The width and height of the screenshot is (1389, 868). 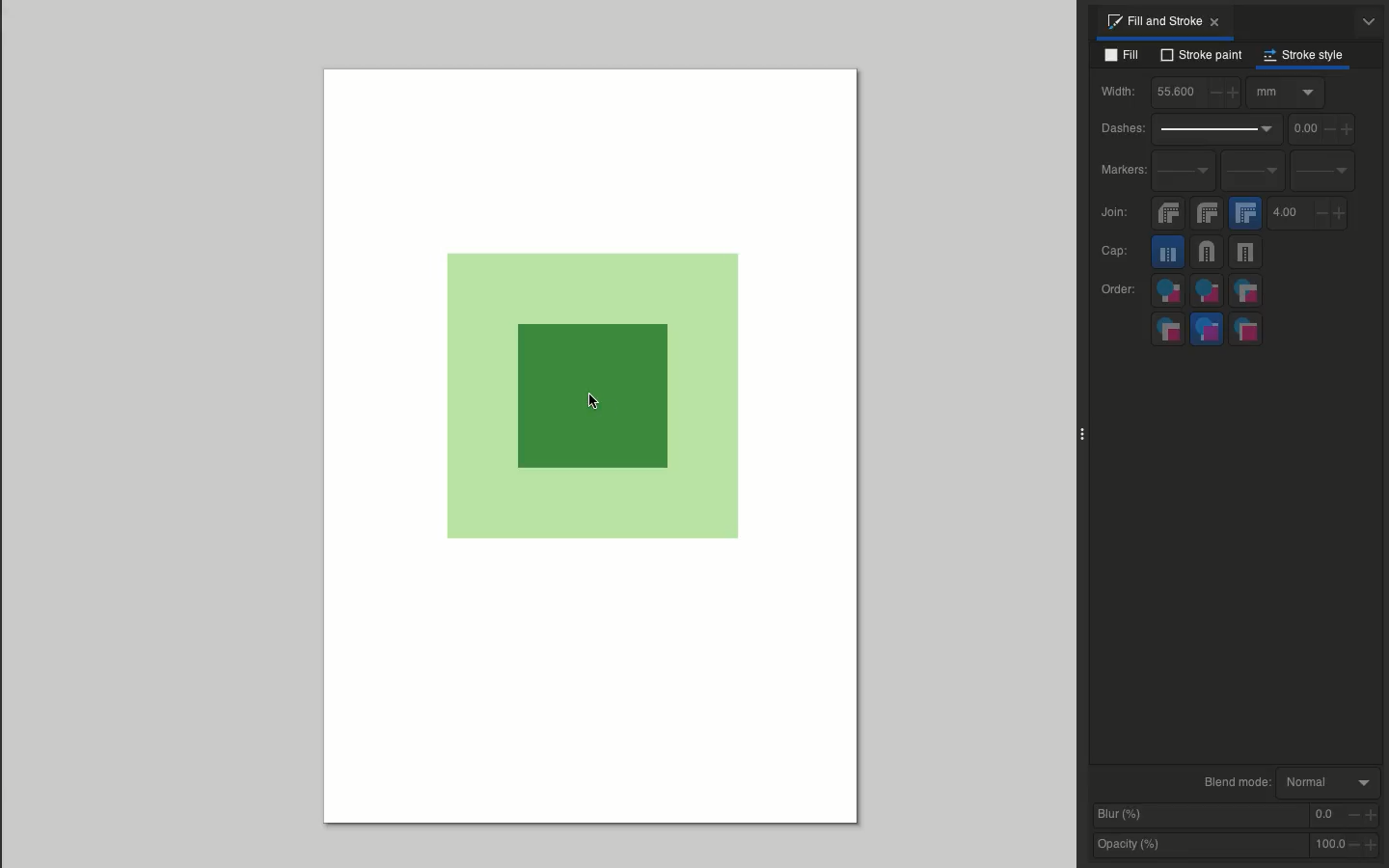 I want to click on Dash pattern, so click(x=1217, y=130).